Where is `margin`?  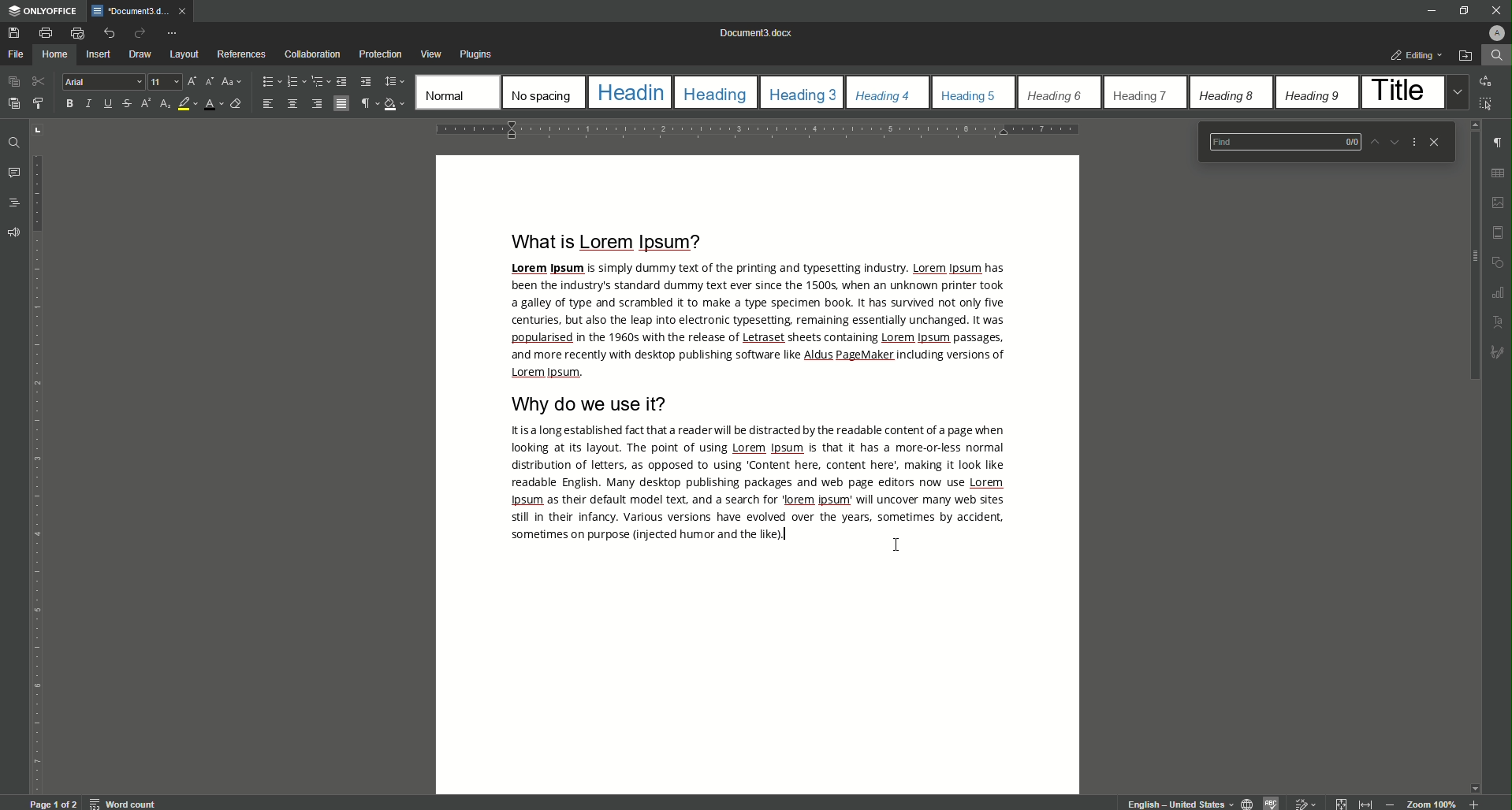
margin is located at coordinates (1499, 229).